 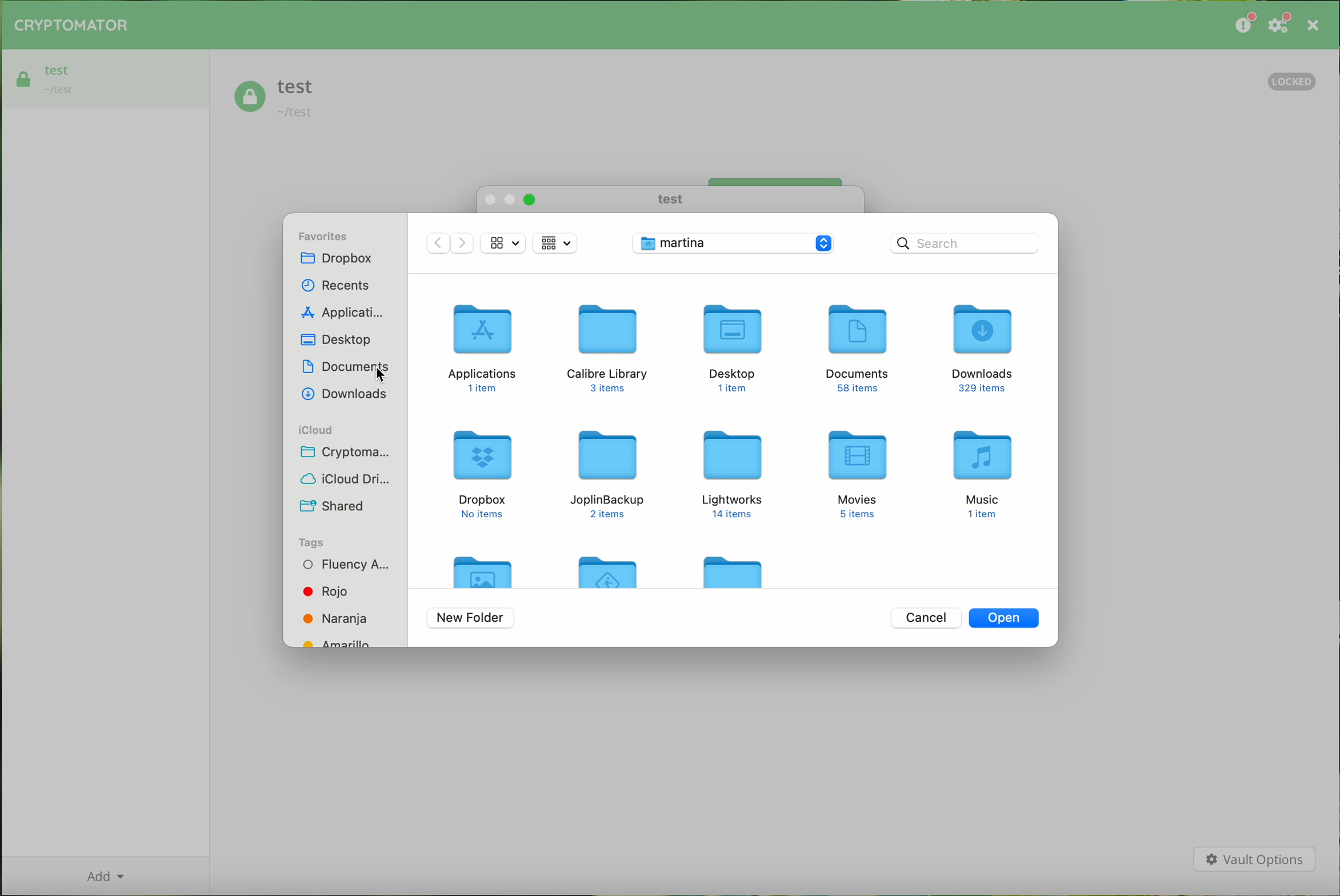 I want to click on applications, so click(x=485, y=349).